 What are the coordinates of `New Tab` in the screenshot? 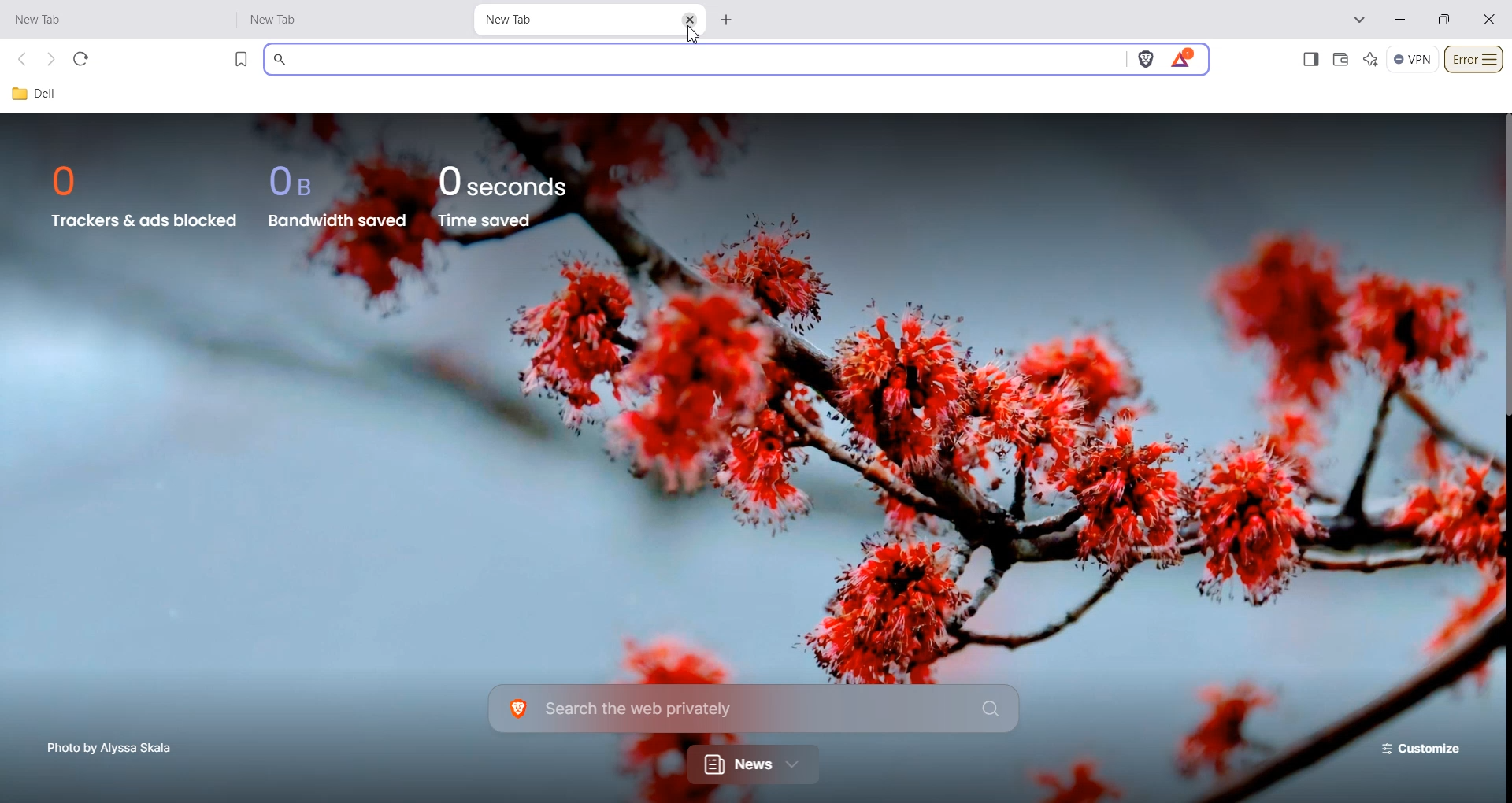 It's located at (338, 20).